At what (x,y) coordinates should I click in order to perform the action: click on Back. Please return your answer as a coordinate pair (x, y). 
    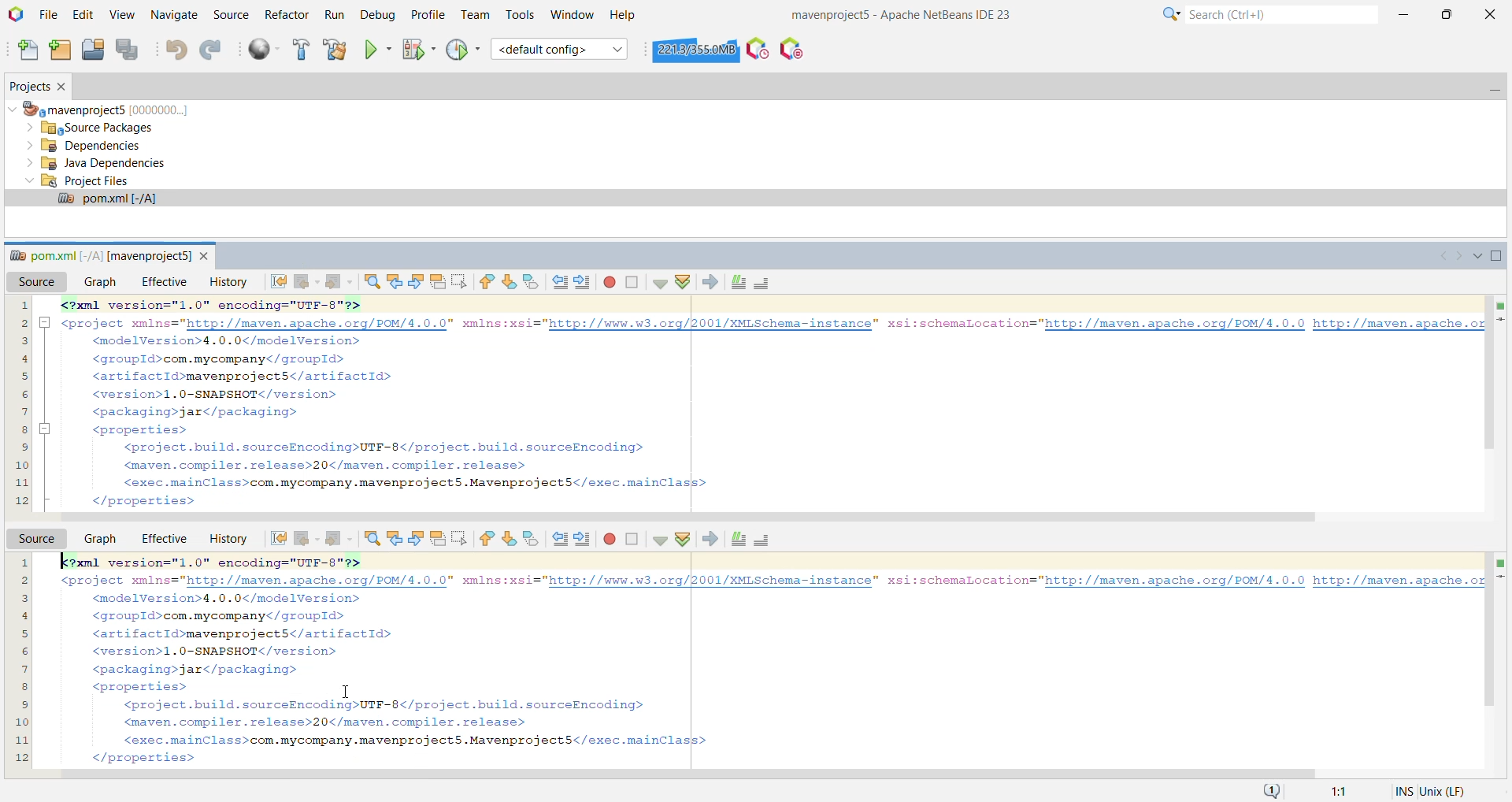
    Looking at the image, I should click on (307, 538).